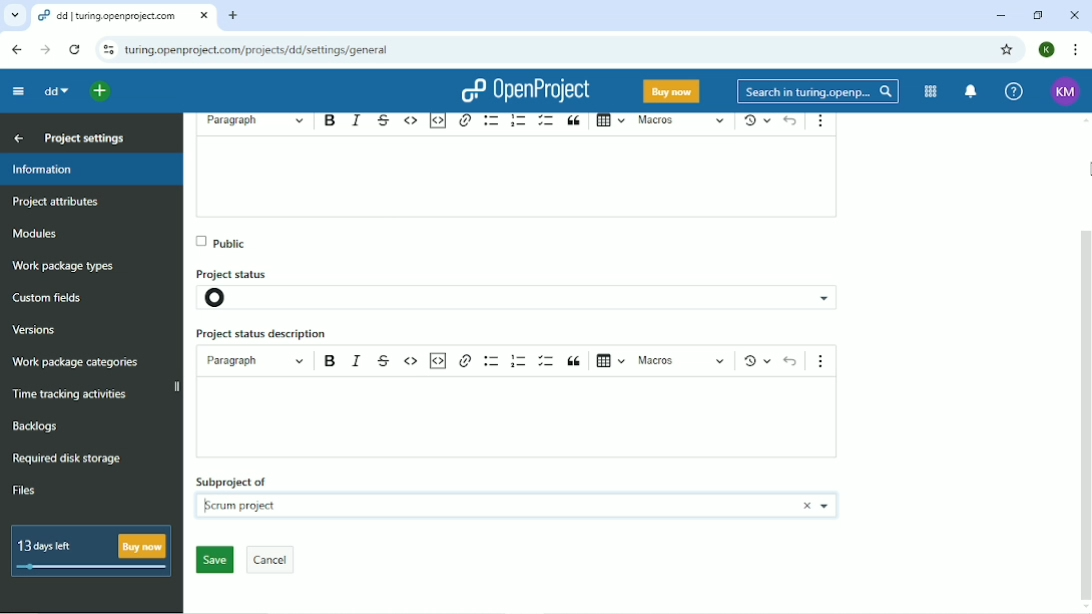 The width and height of the screenshot is (1092, 614). What do you see at coordinates (330, 122) in the screenshot?
I see `Bold` at bounding box center [330, 122].